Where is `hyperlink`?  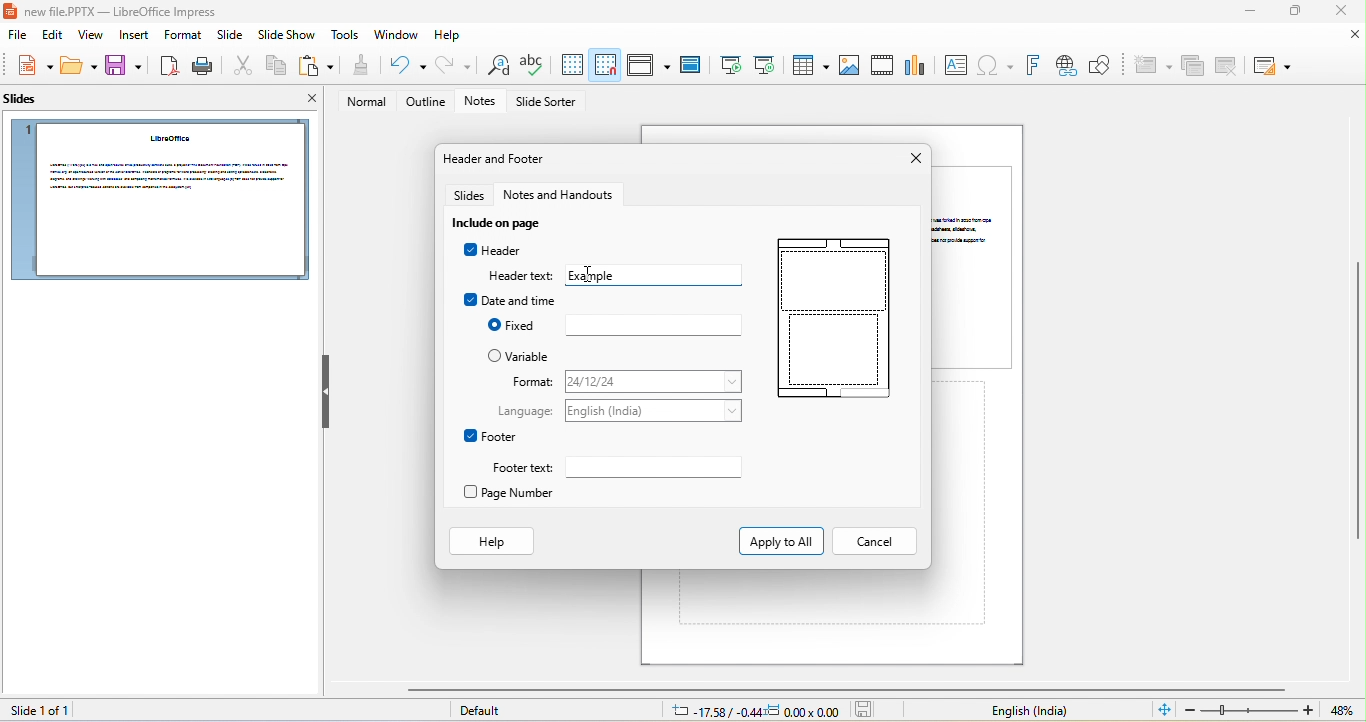
hyperlink is located at coordinates (1065, 66).